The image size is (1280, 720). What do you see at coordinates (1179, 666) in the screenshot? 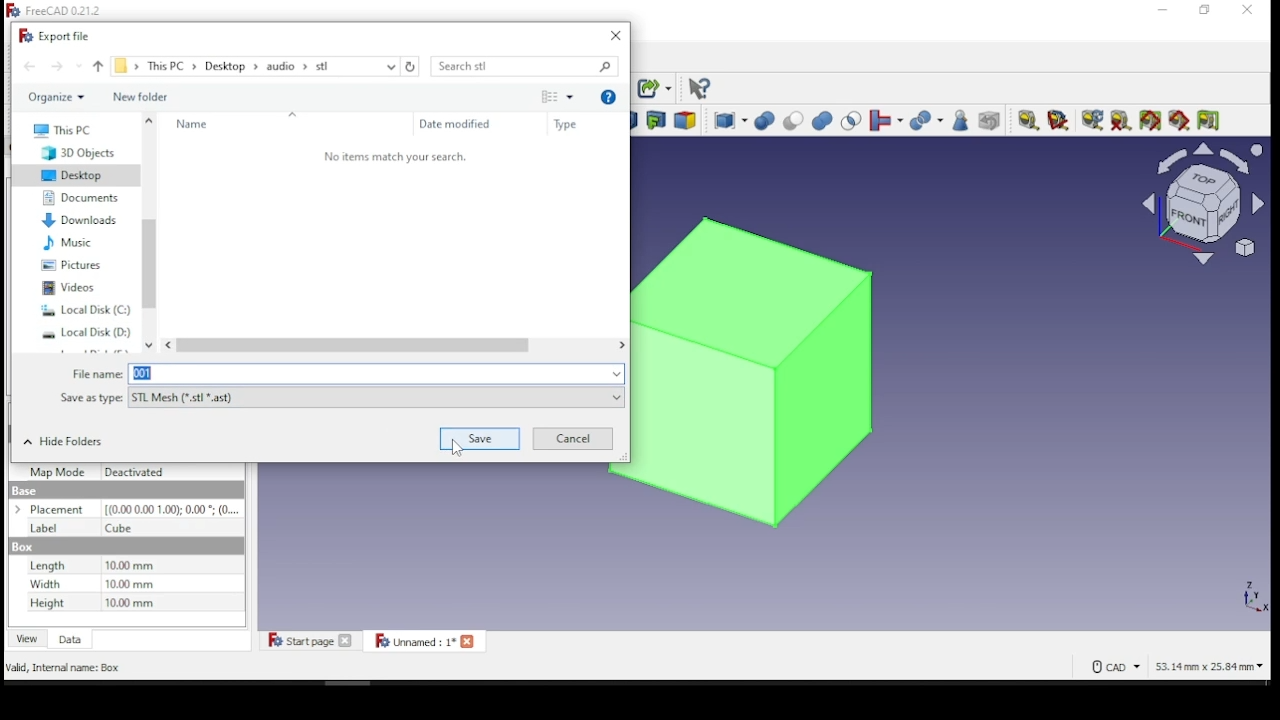
I see `CAD 53.14 mm x 25.84 mm` at bounding box center [1179, 666].